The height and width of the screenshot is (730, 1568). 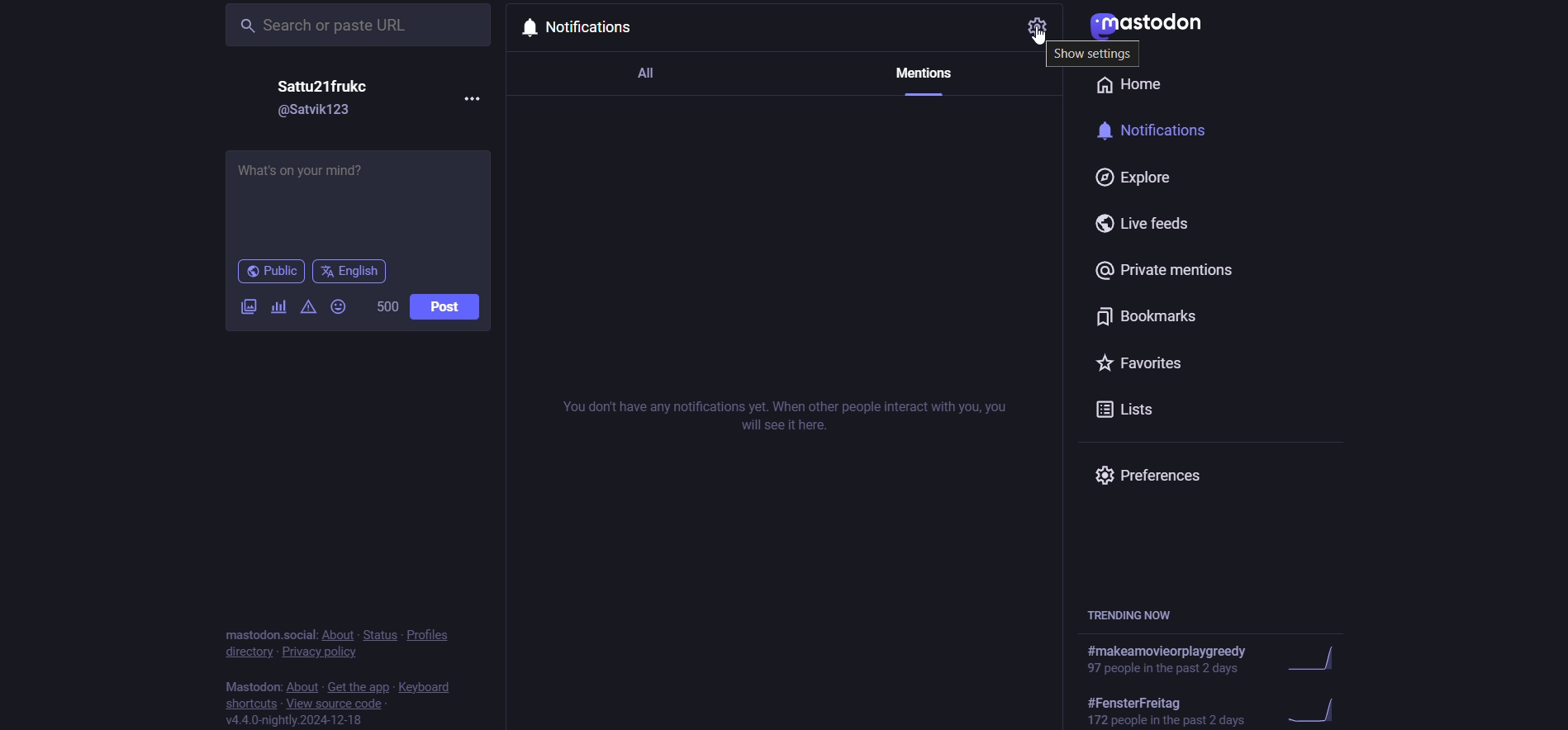 What do you see at coordinates (1314, 659) in the screenshot?
I see `trending graph` at bounding box center [1314, 659].